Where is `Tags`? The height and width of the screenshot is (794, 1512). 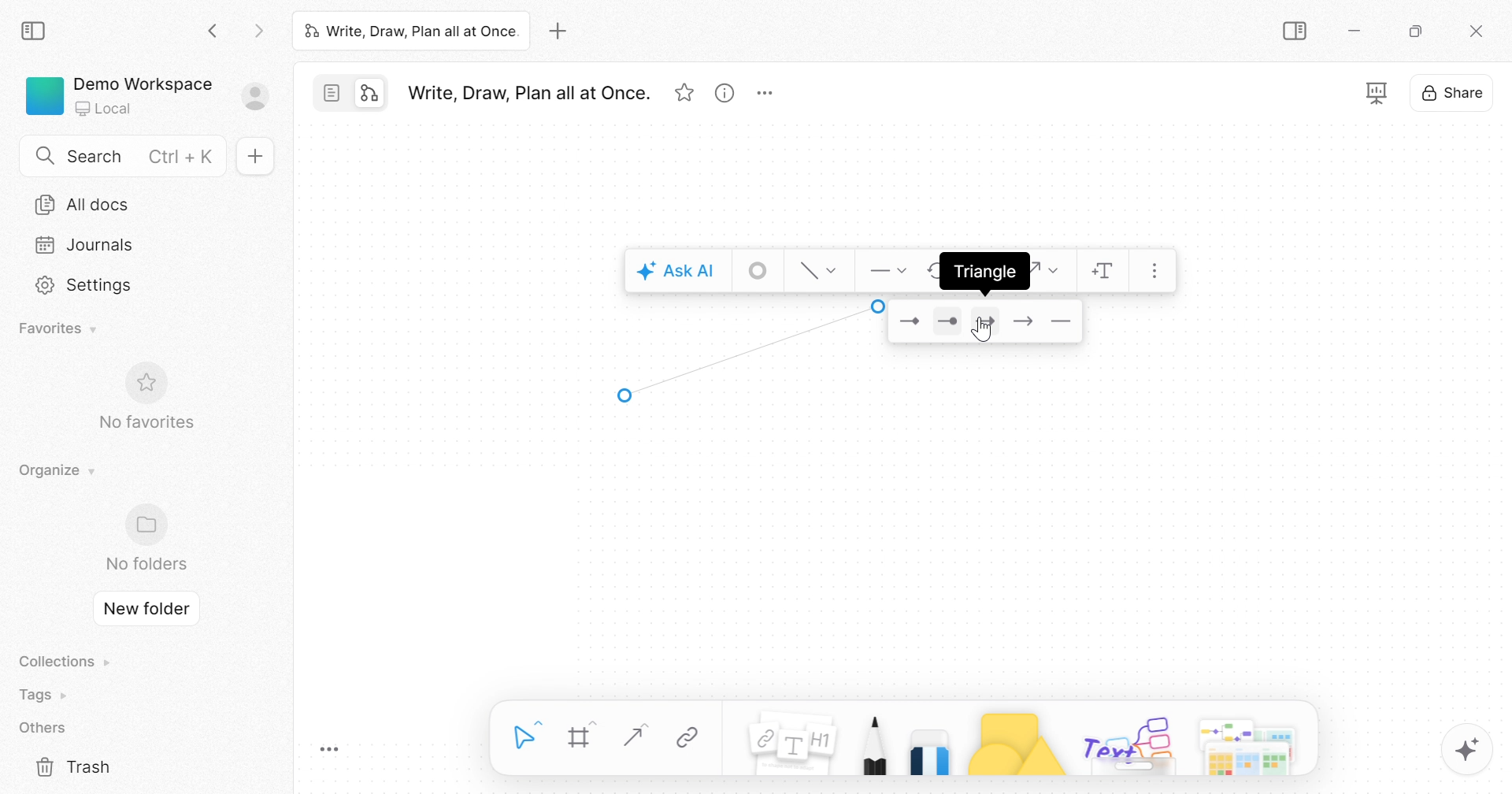
Tags is located at coordinates (46, 695).